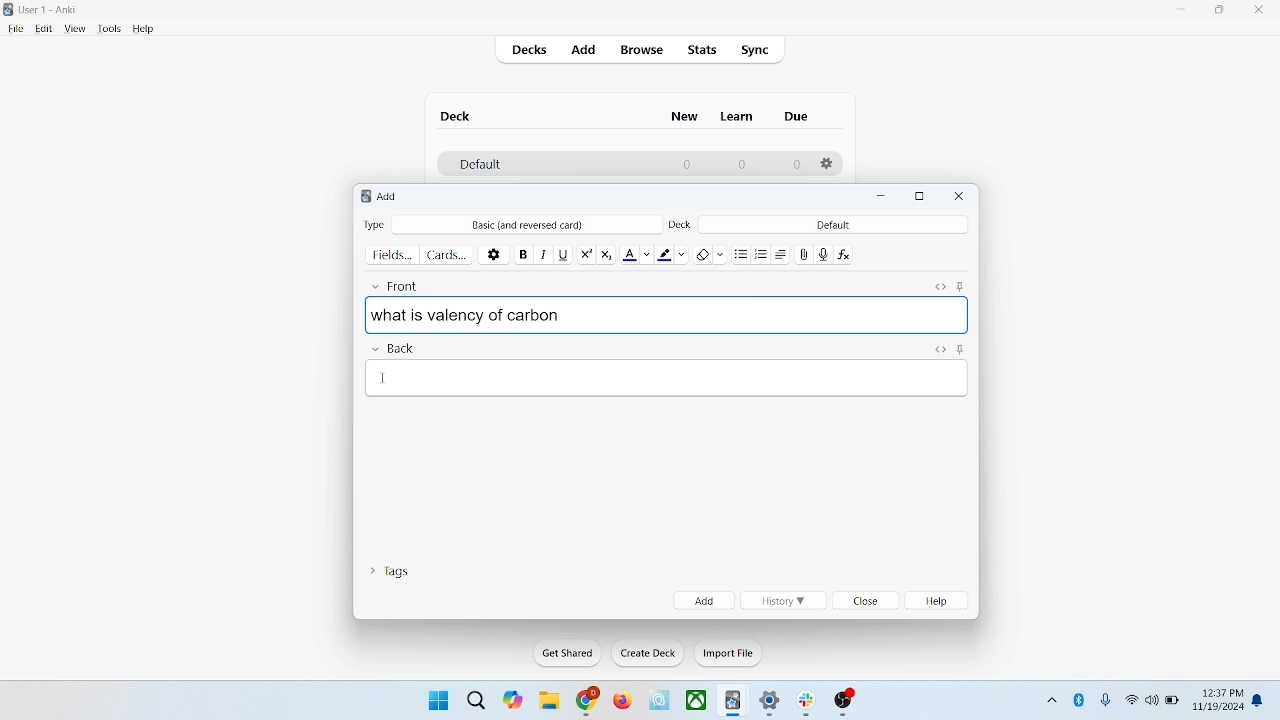 This screenshot has width=1280, height=720. What do you see at coordinates (1220, 13) in the screenshot?
I see `maximize` at bounding box center [1220, 13].